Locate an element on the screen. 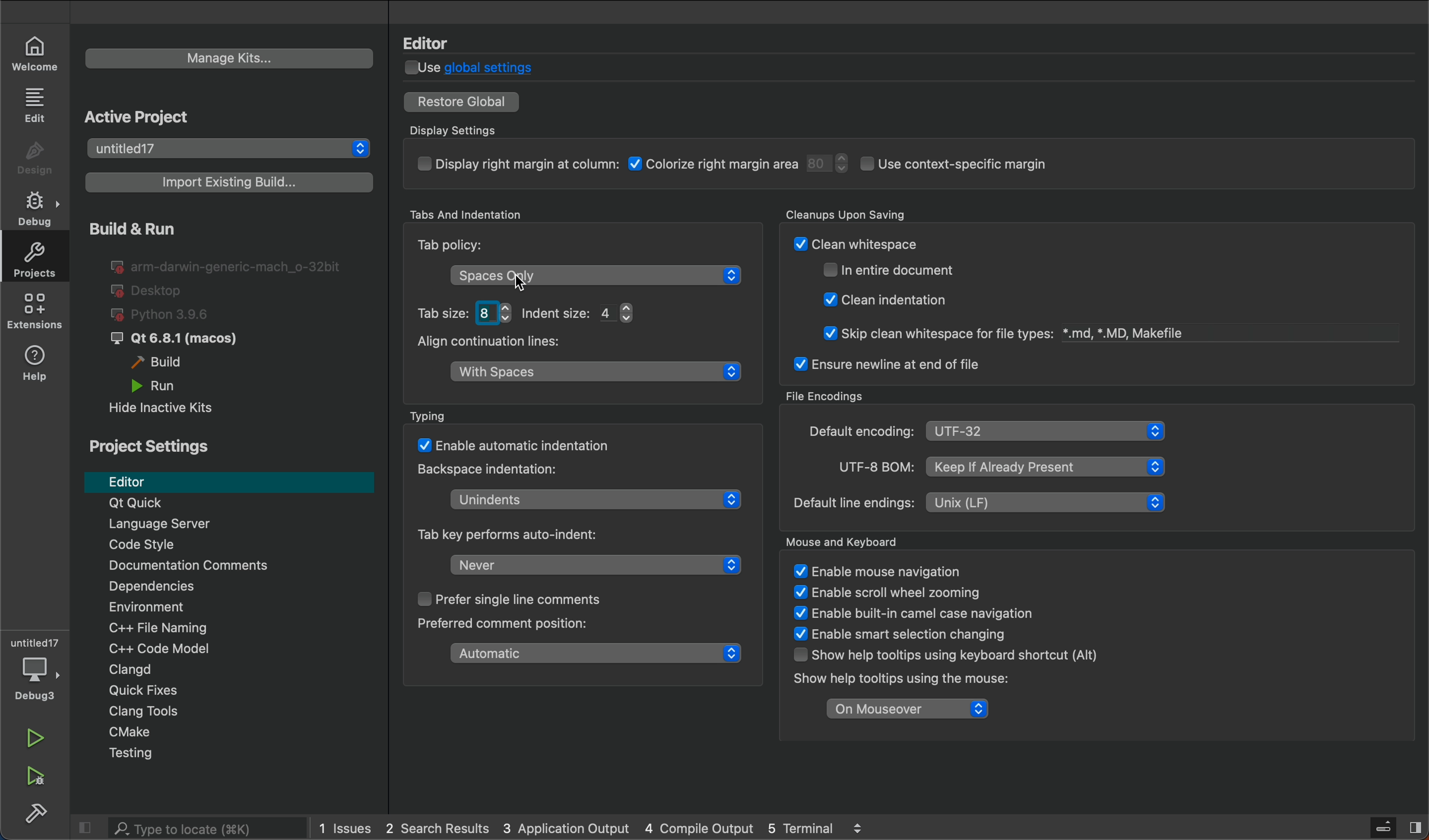 The height and width of the screenshot is (840, 1429). build  is located at coordinates (171, 364).